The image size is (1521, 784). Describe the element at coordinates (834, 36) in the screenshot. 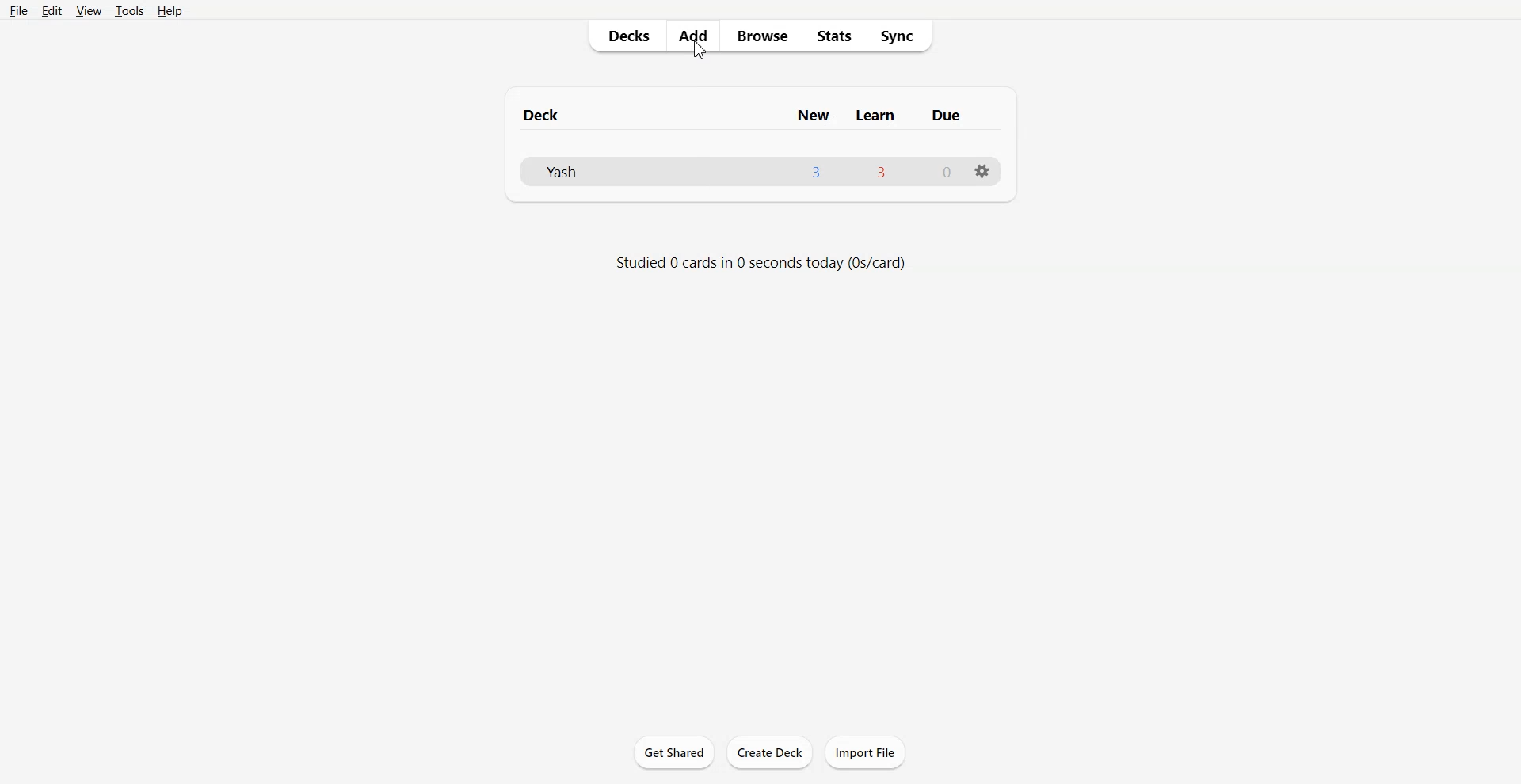

I see `Stats` at that location.